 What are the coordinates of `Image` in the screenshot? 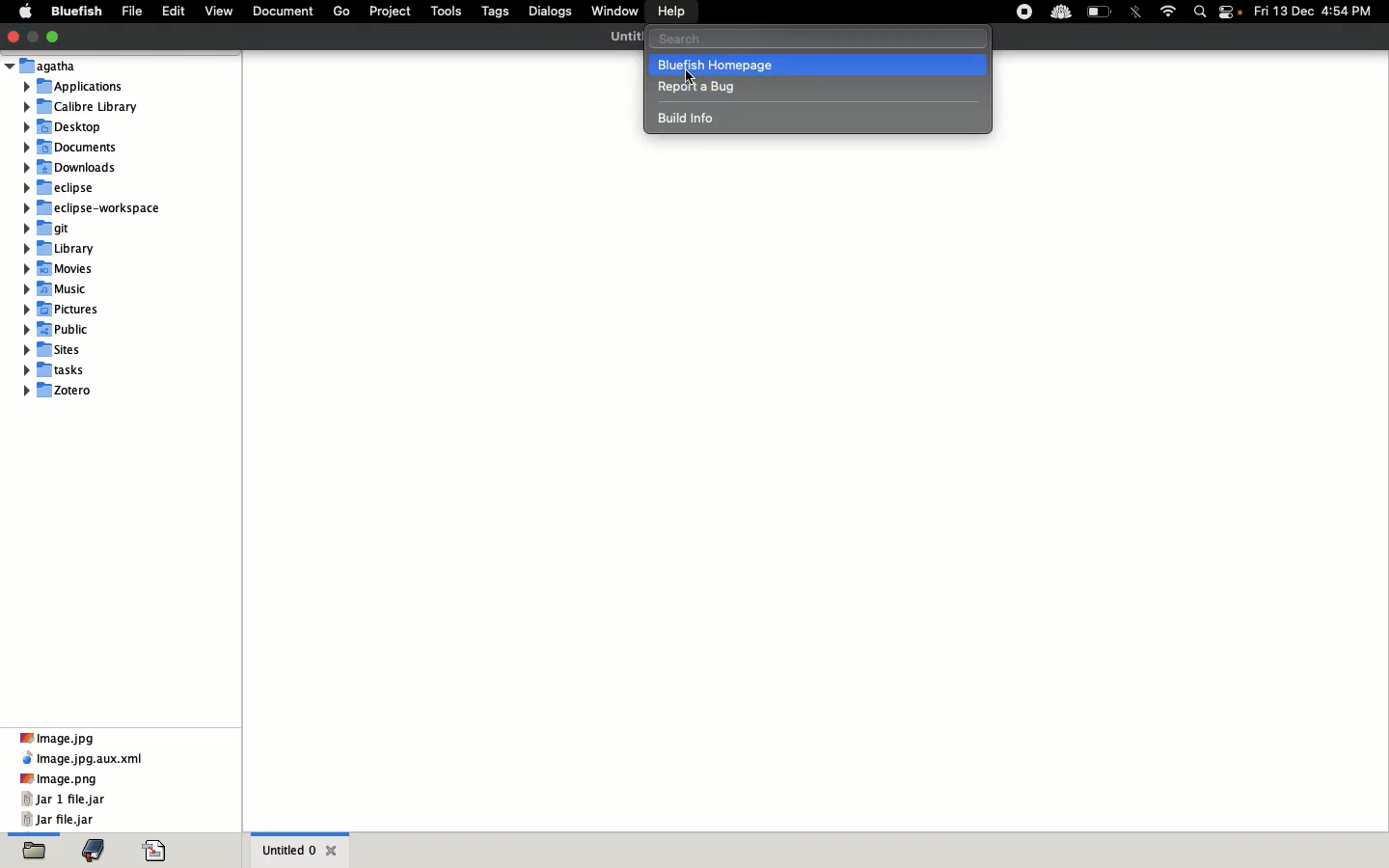 It's located at (59, 779).